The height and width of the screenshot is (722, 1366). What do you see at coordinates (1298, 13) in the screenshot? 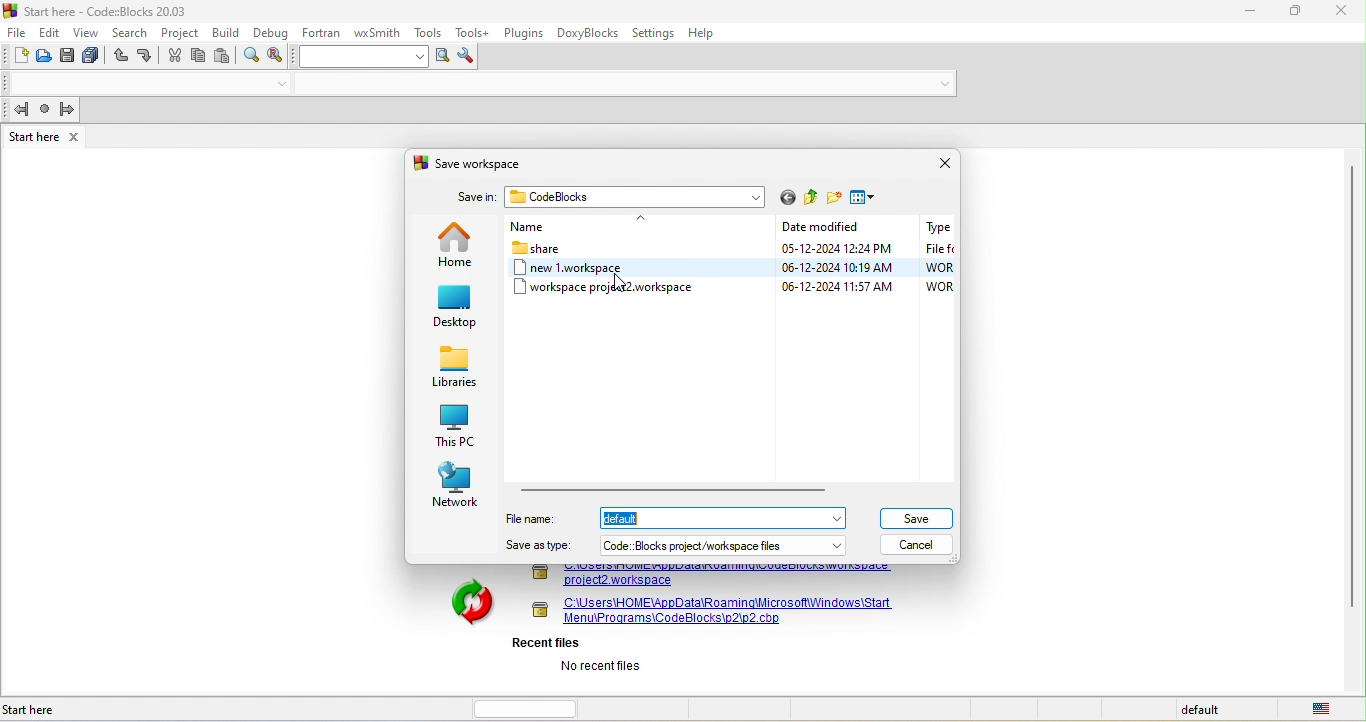
I see `maximize` at bounding box center [1298, 13].